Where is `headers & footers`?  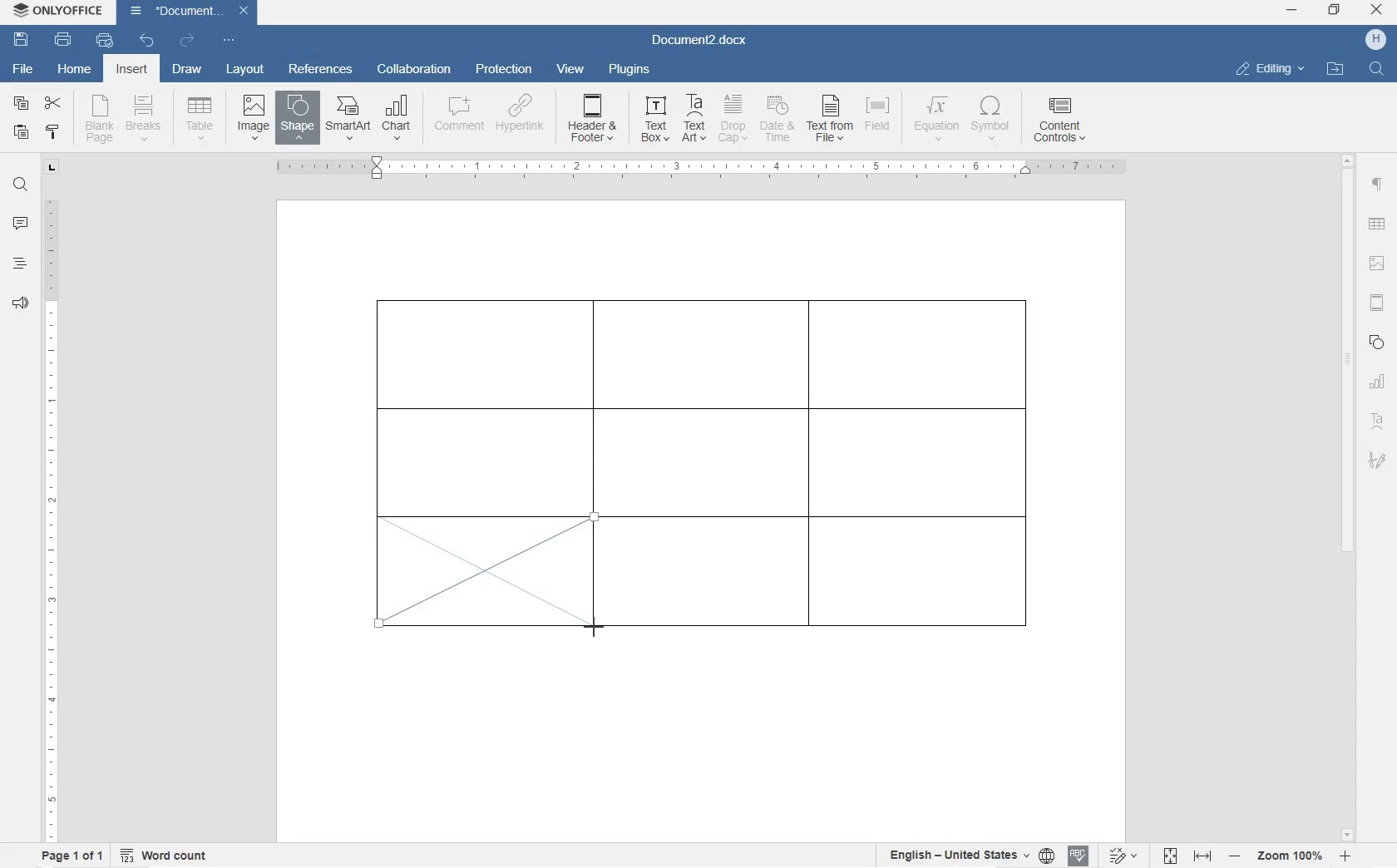
headers & footers is located at coordinates (1378, 304).